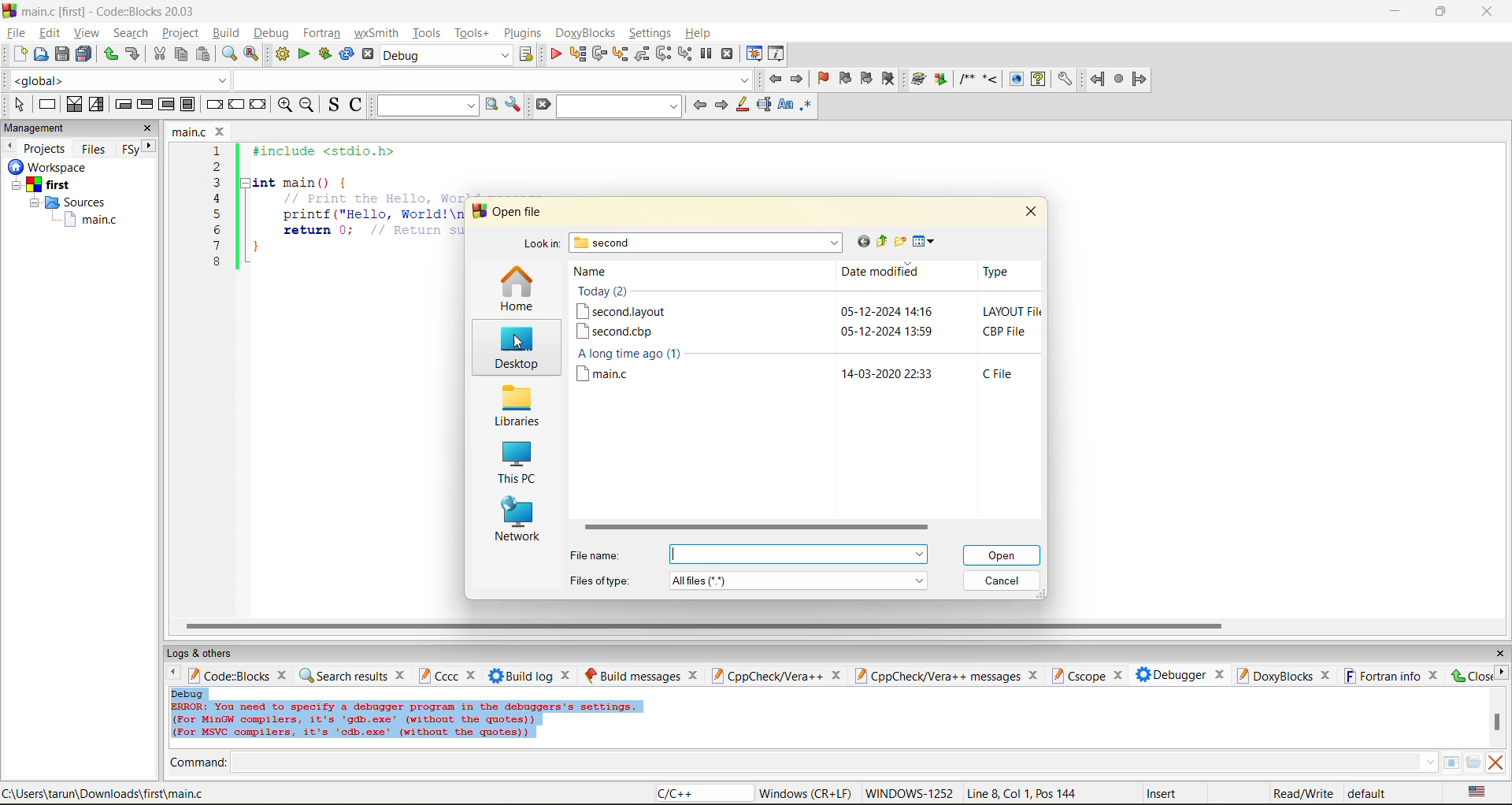 The width and height of the screenshot is (1512, 805). What do you see at coordinates (845, 78) in the screenshot?
I see `previous bookmark` at bounding box center [845, 78].